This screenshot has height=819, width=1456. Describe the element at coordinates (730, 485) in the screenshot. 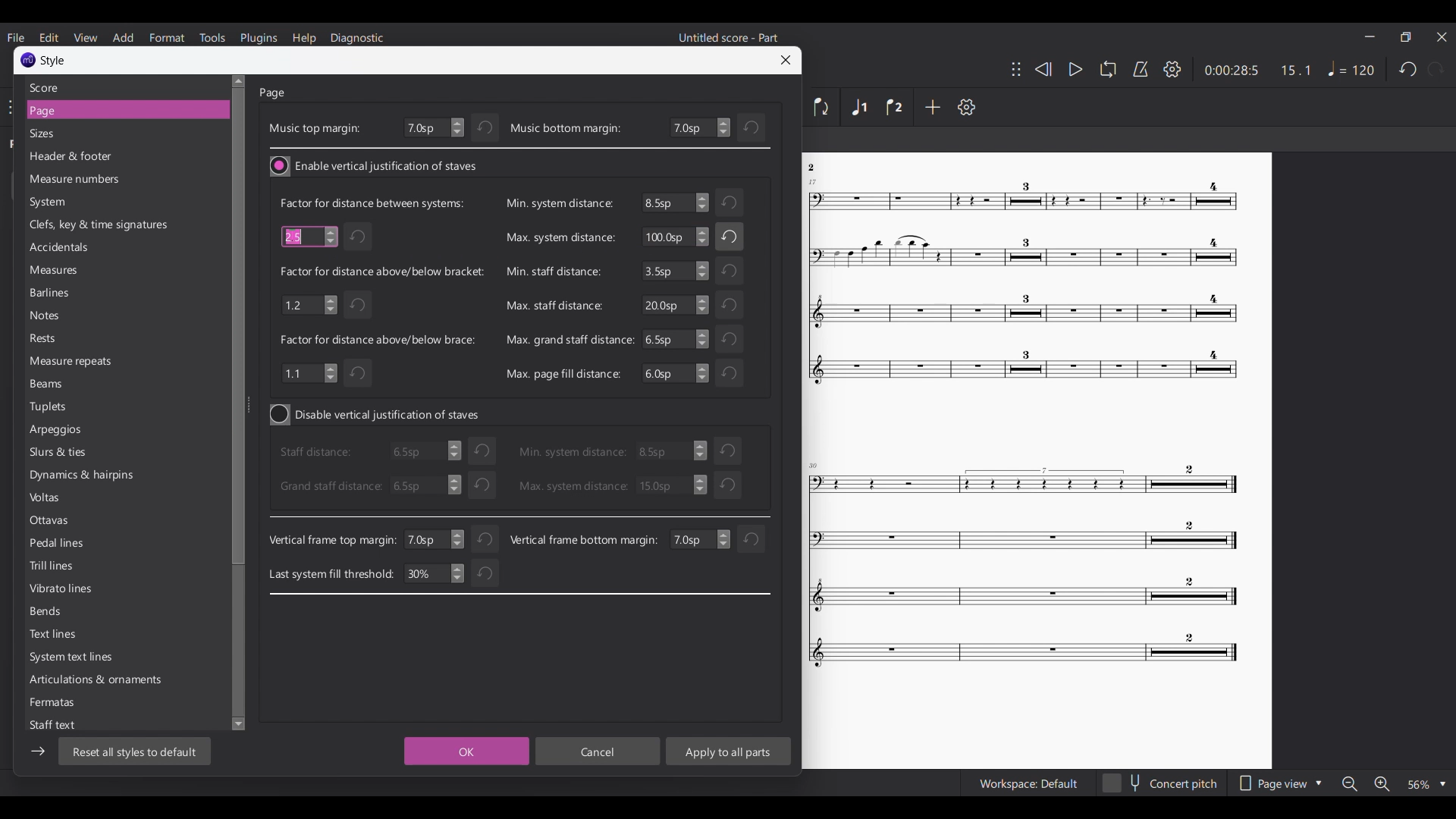

I see `Undo` at that location.